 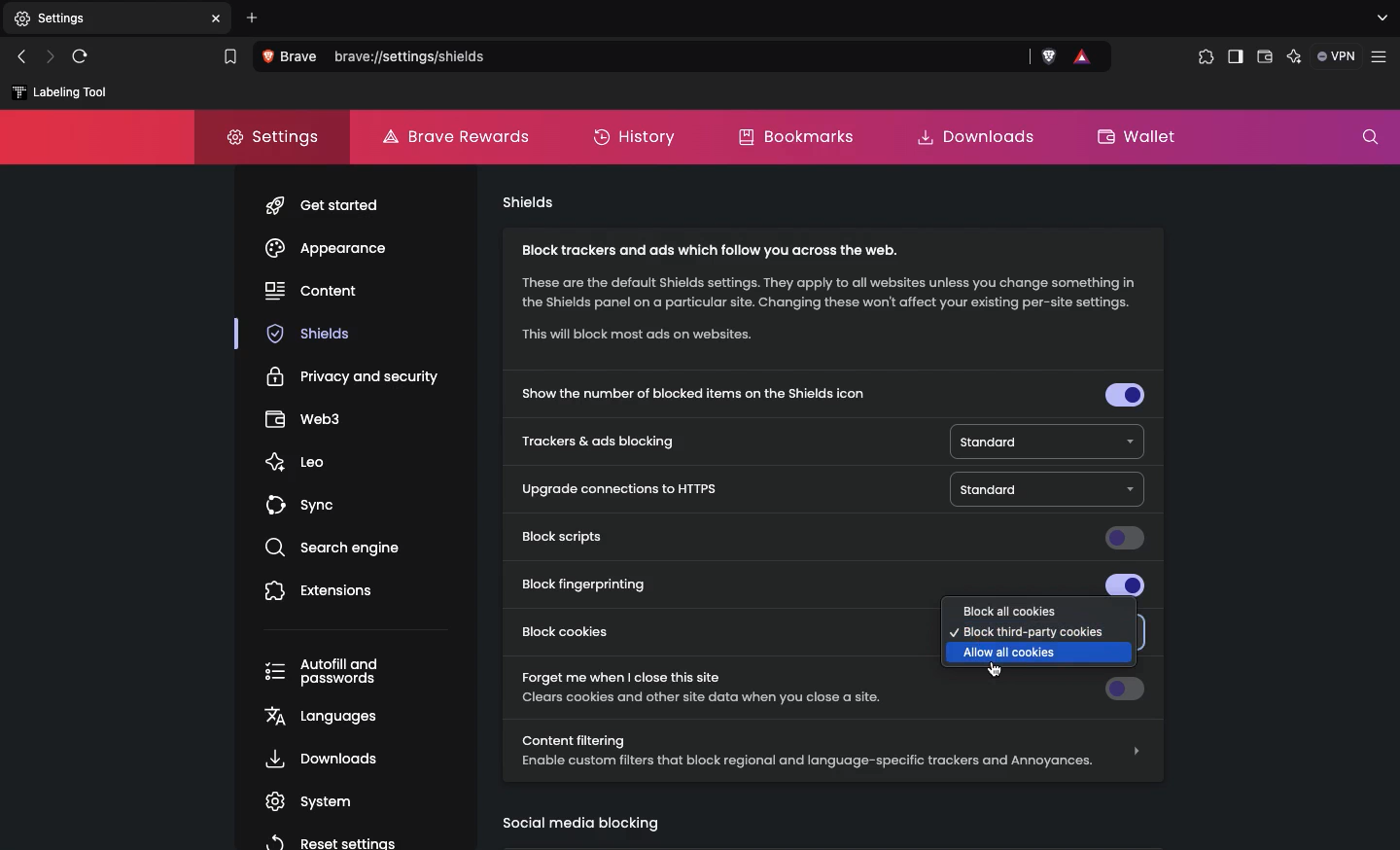 I want to click on Search settings, so click(x=1369, y=134).